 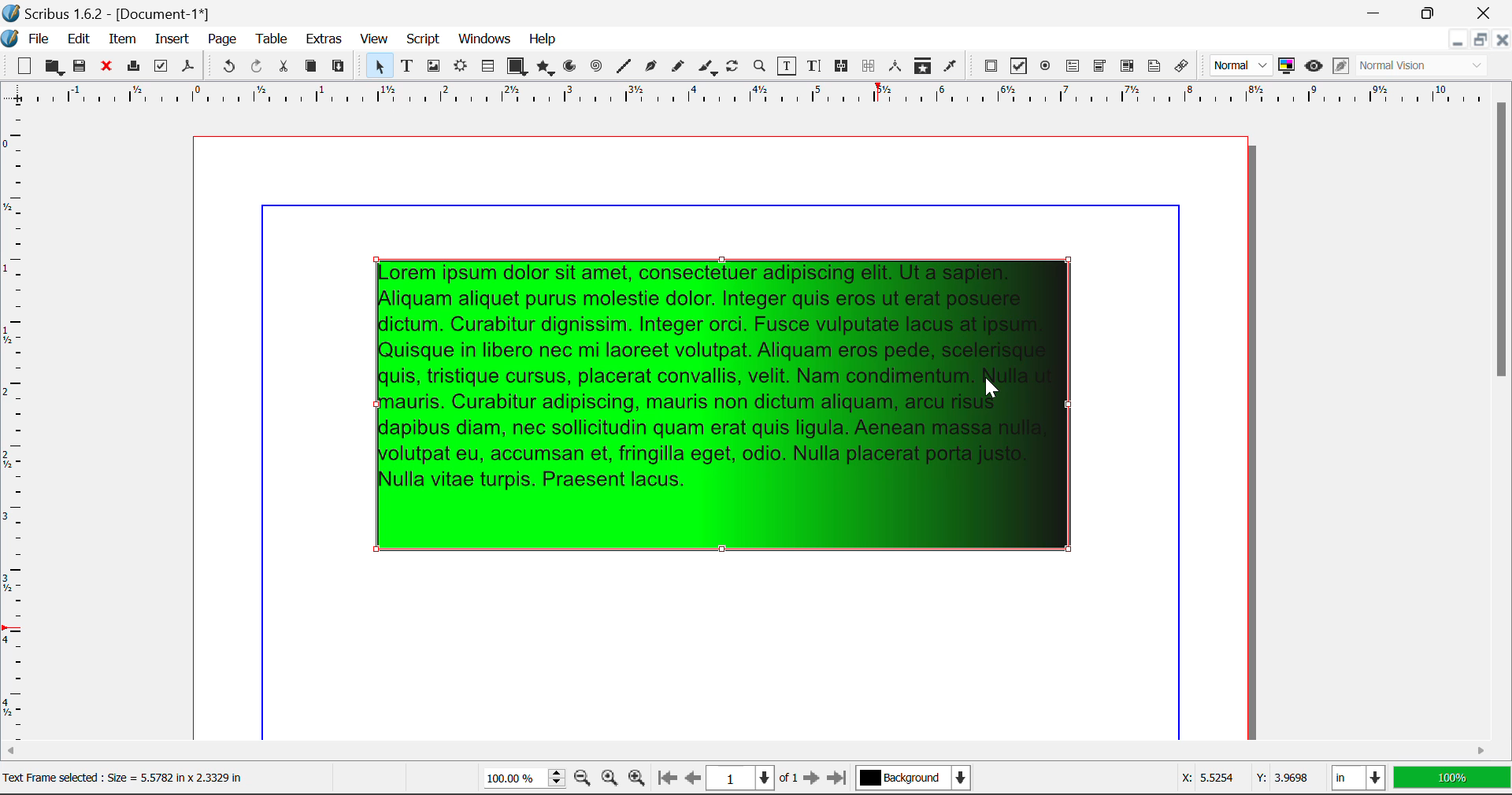 I want to click on Zoom, so click(x=760, y=65).